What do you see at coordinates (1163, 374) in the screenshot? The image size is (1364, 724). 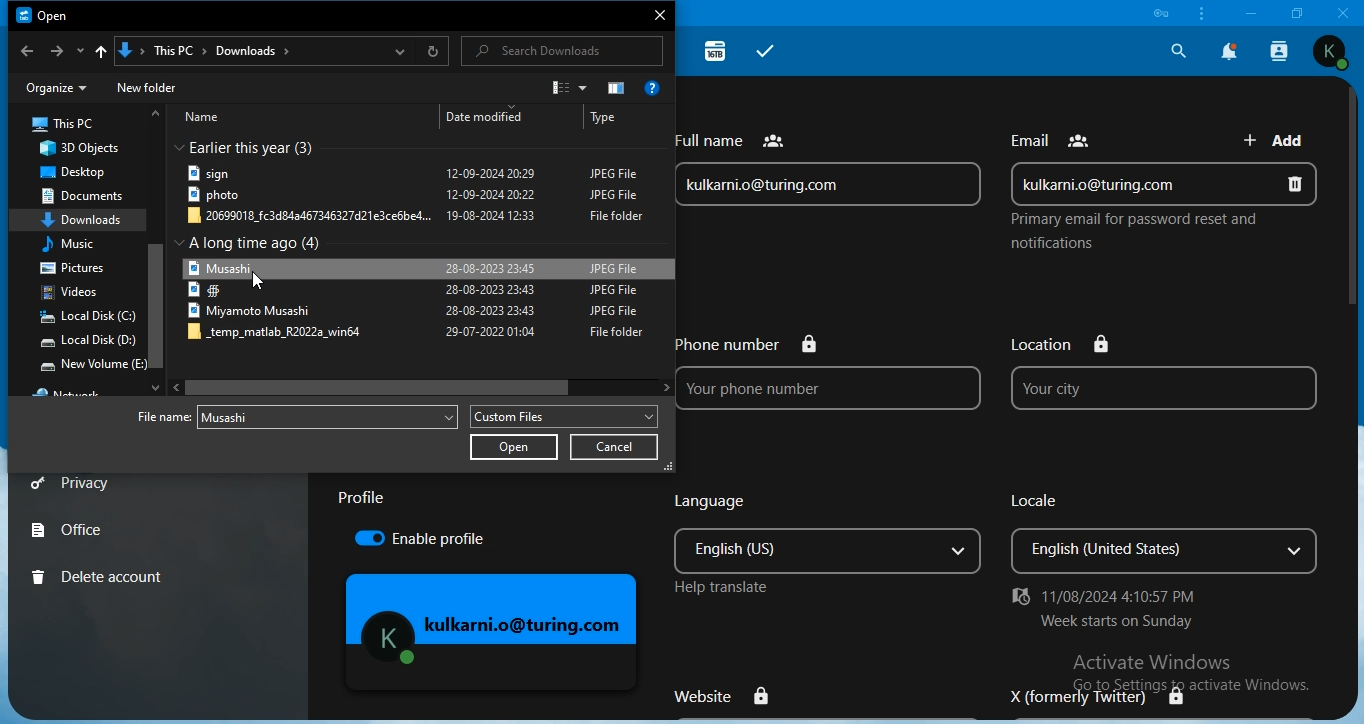 I see `location` at bounding box center [1163, 374].